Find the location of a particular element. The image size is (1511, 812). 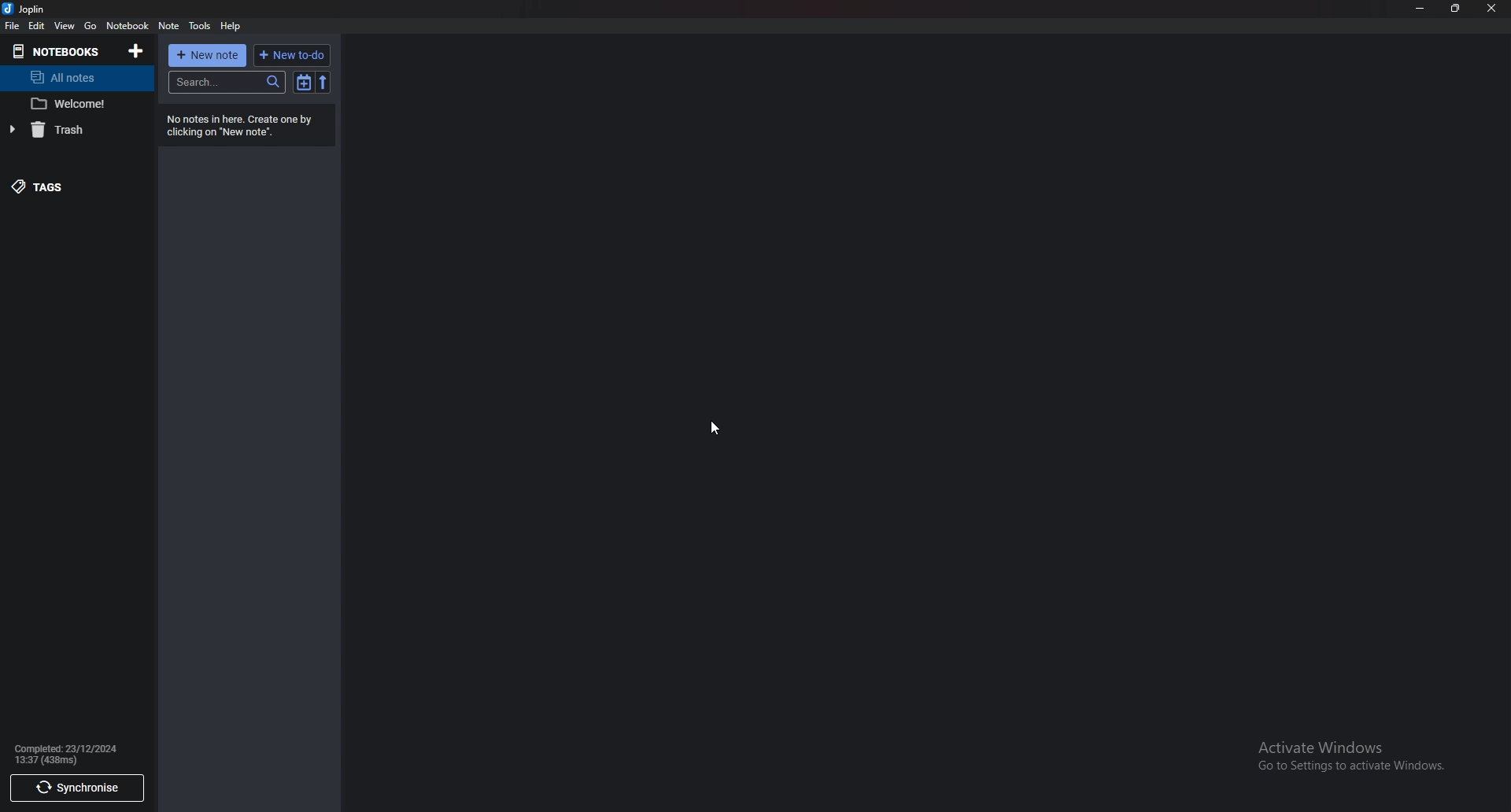

Add notebooks is located at coordinates (136, 51).